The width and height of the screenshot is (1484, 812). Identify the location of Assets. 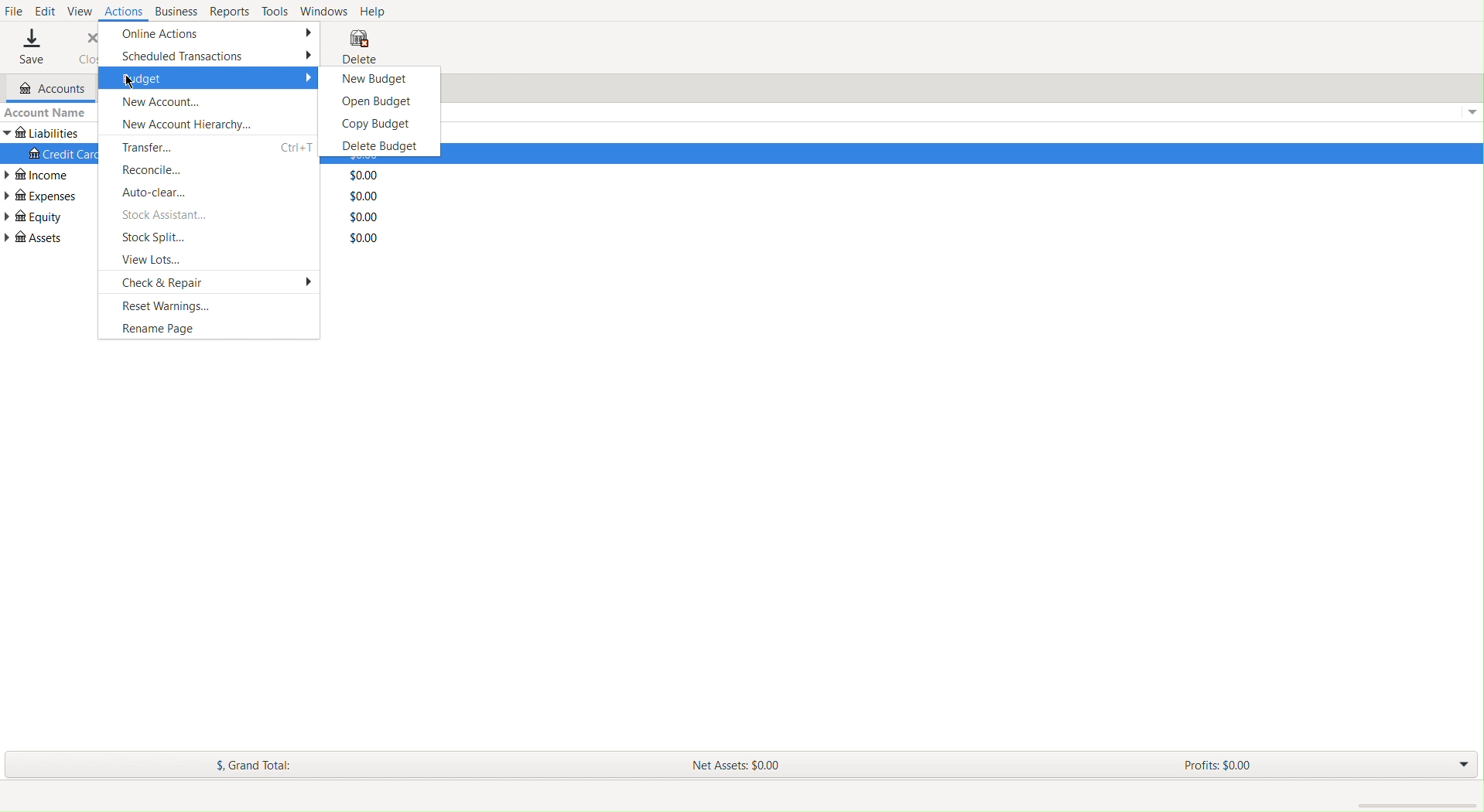
(34, 242).